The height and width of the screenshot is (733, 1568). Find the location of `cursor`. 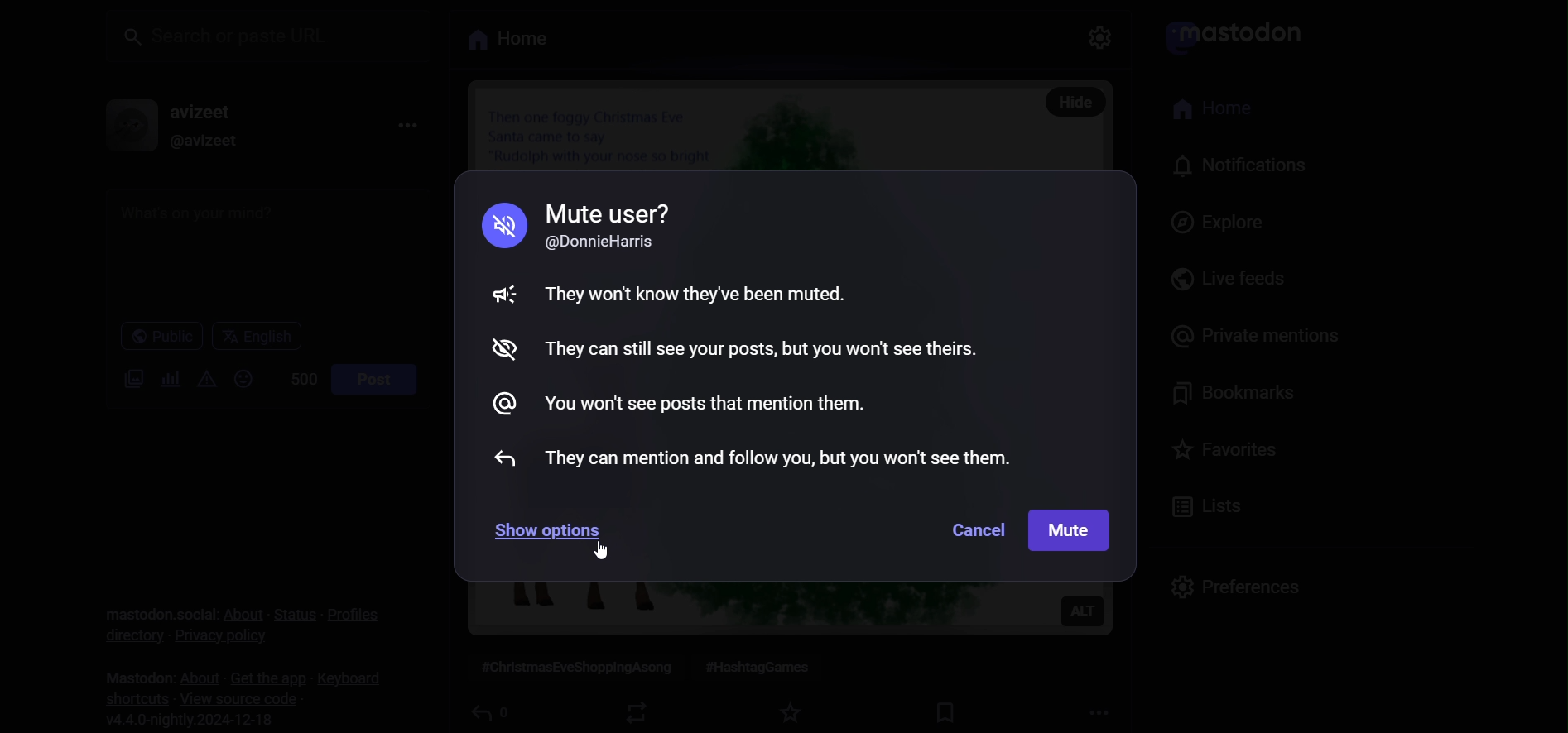

cursor is located at coordinates (605, 551).